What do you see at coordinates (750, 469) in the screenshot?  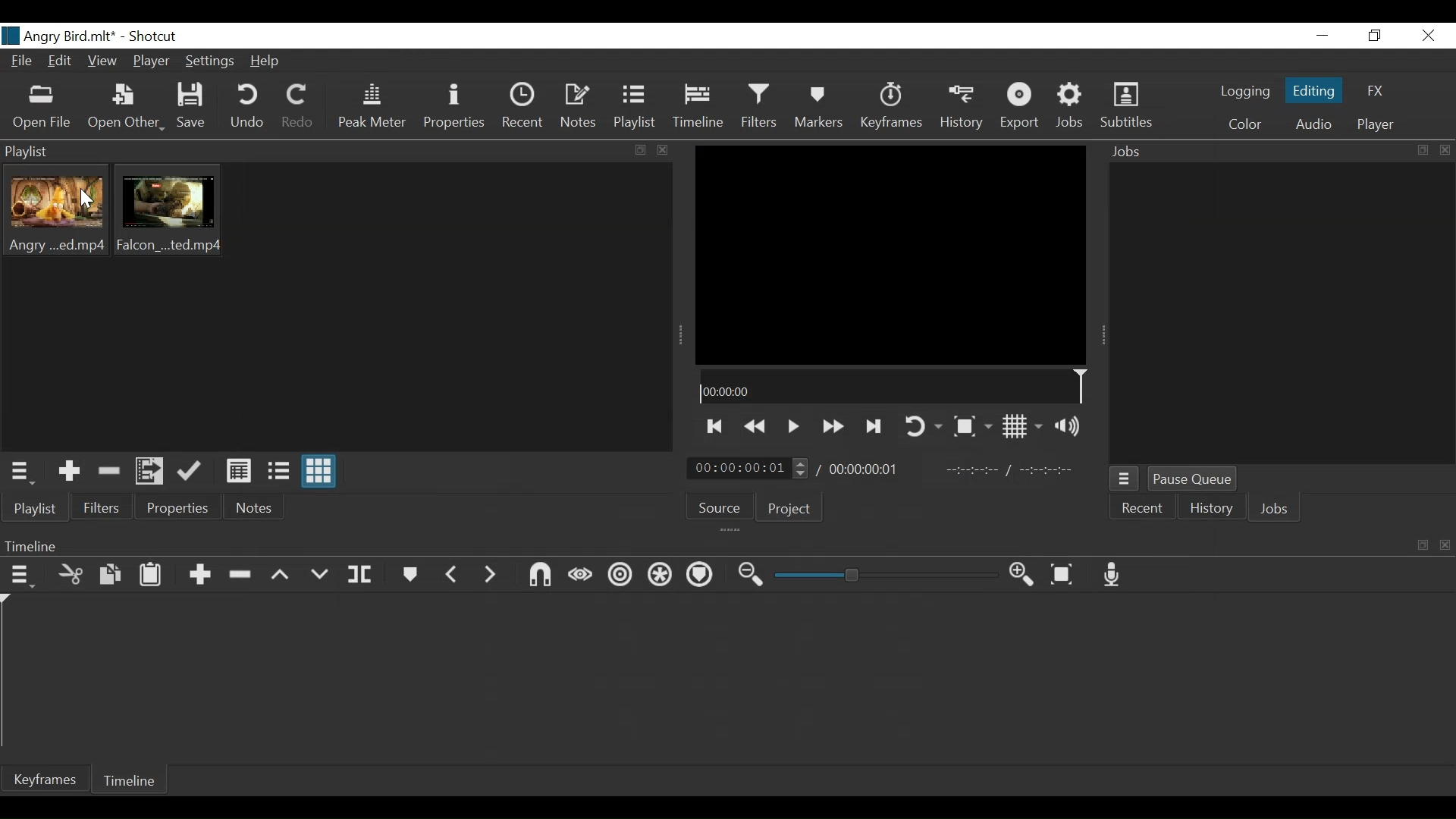 I see `Current position` at bounding box center [750, 469].